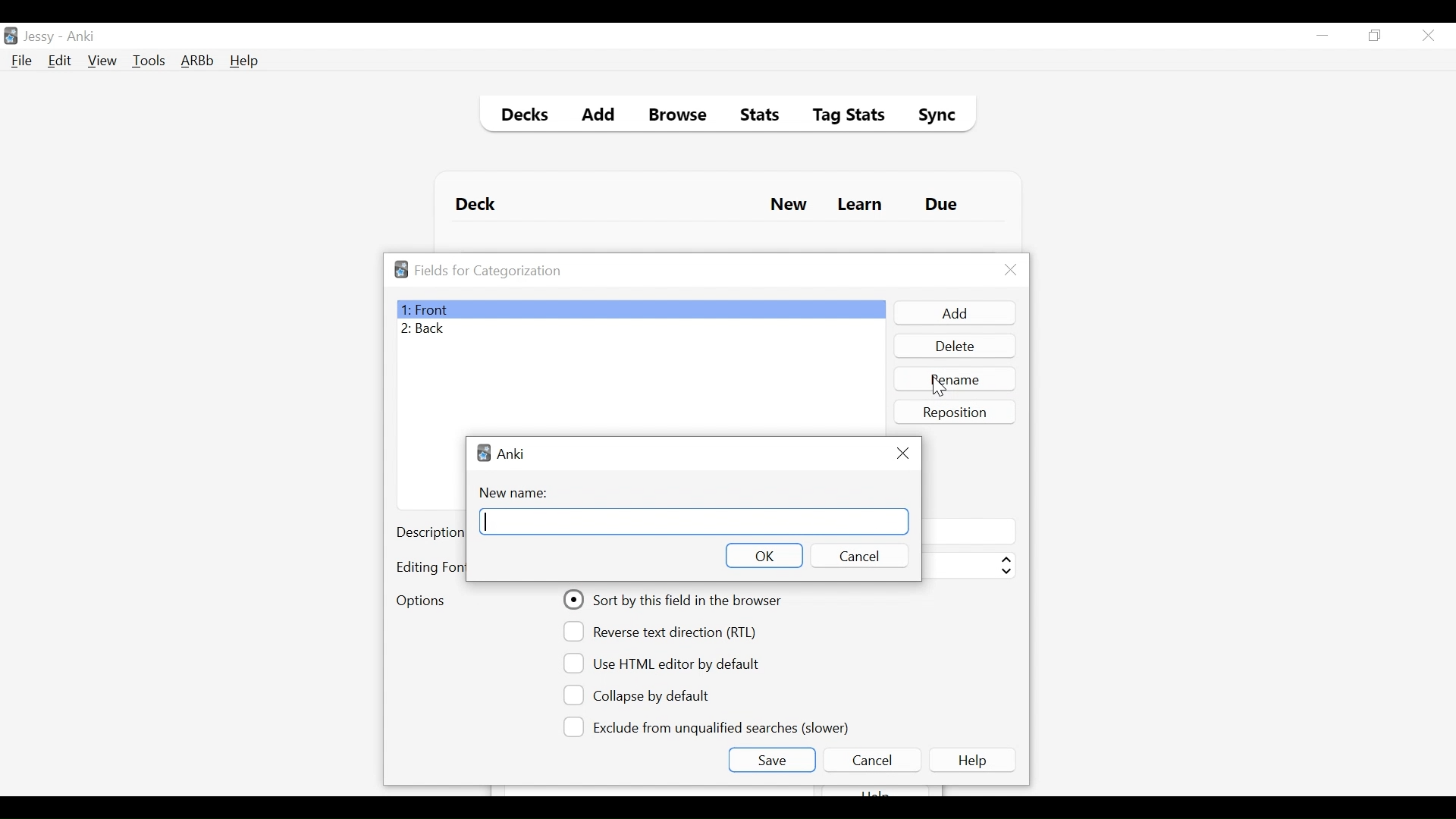  Describe the element at coordinates (401, 269) in the screenshot. I see `Application logo` at that location.